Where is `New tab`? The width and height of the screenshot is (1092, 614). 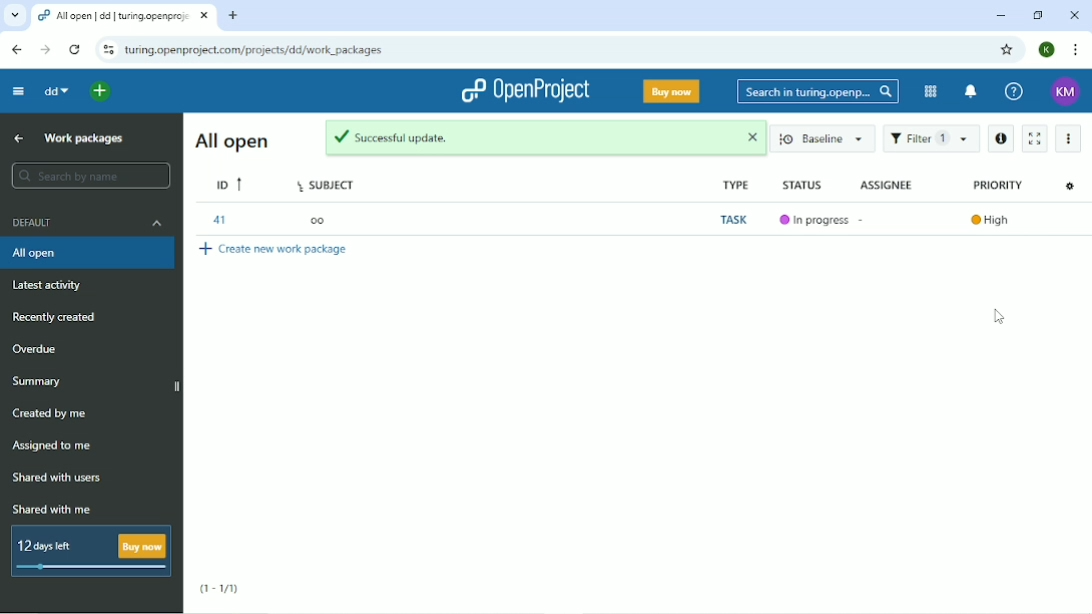 New tab is located at coordinates (234, 17).